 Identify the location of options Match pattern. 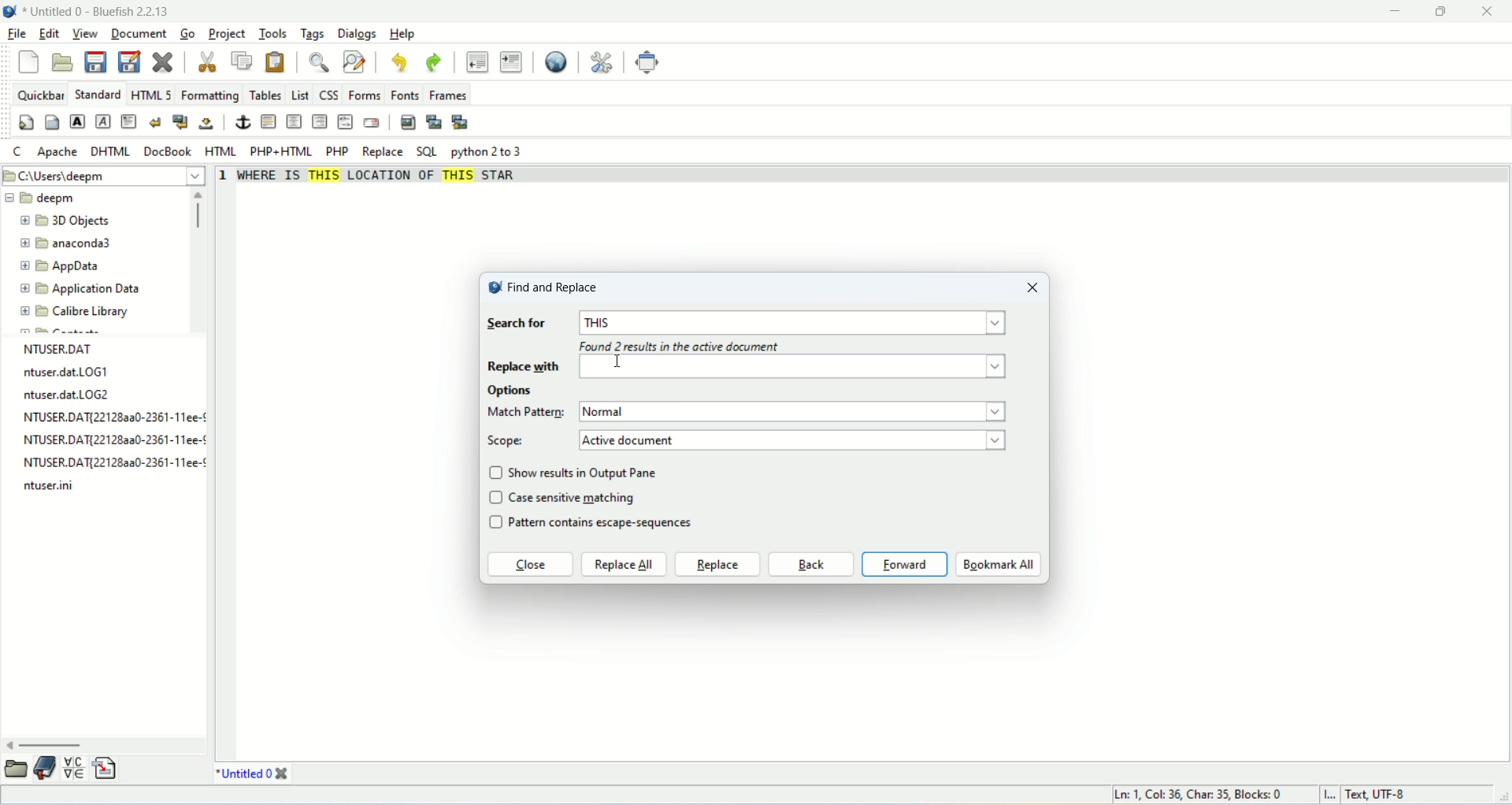
(527, 402).